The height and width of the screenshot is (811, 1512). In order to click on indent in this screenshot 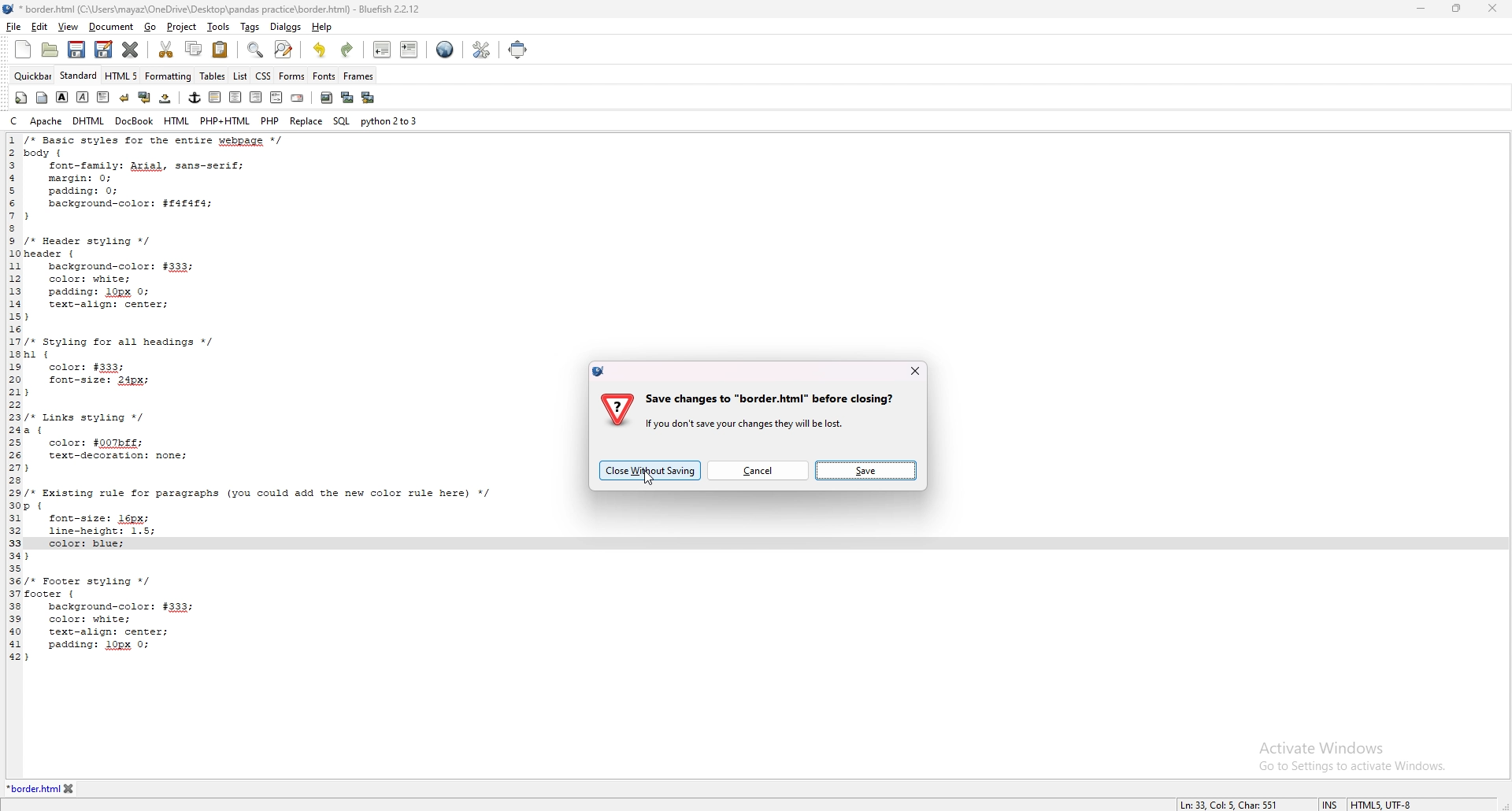, I will do `click(409, 49)`.